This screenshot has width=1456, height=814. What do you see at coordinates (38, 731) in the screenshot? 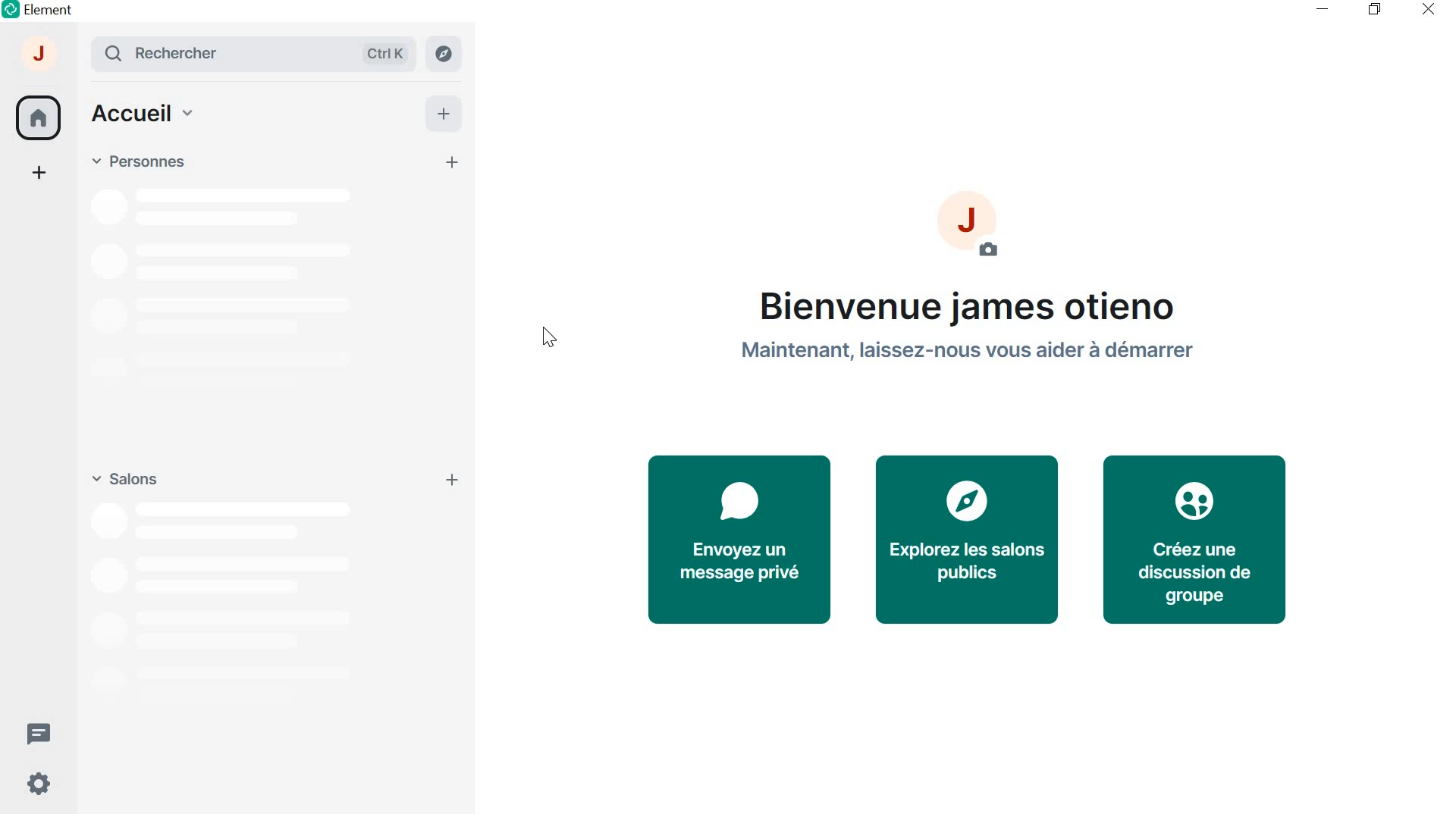
I see `THREADS` at bounding box center [38, 731].